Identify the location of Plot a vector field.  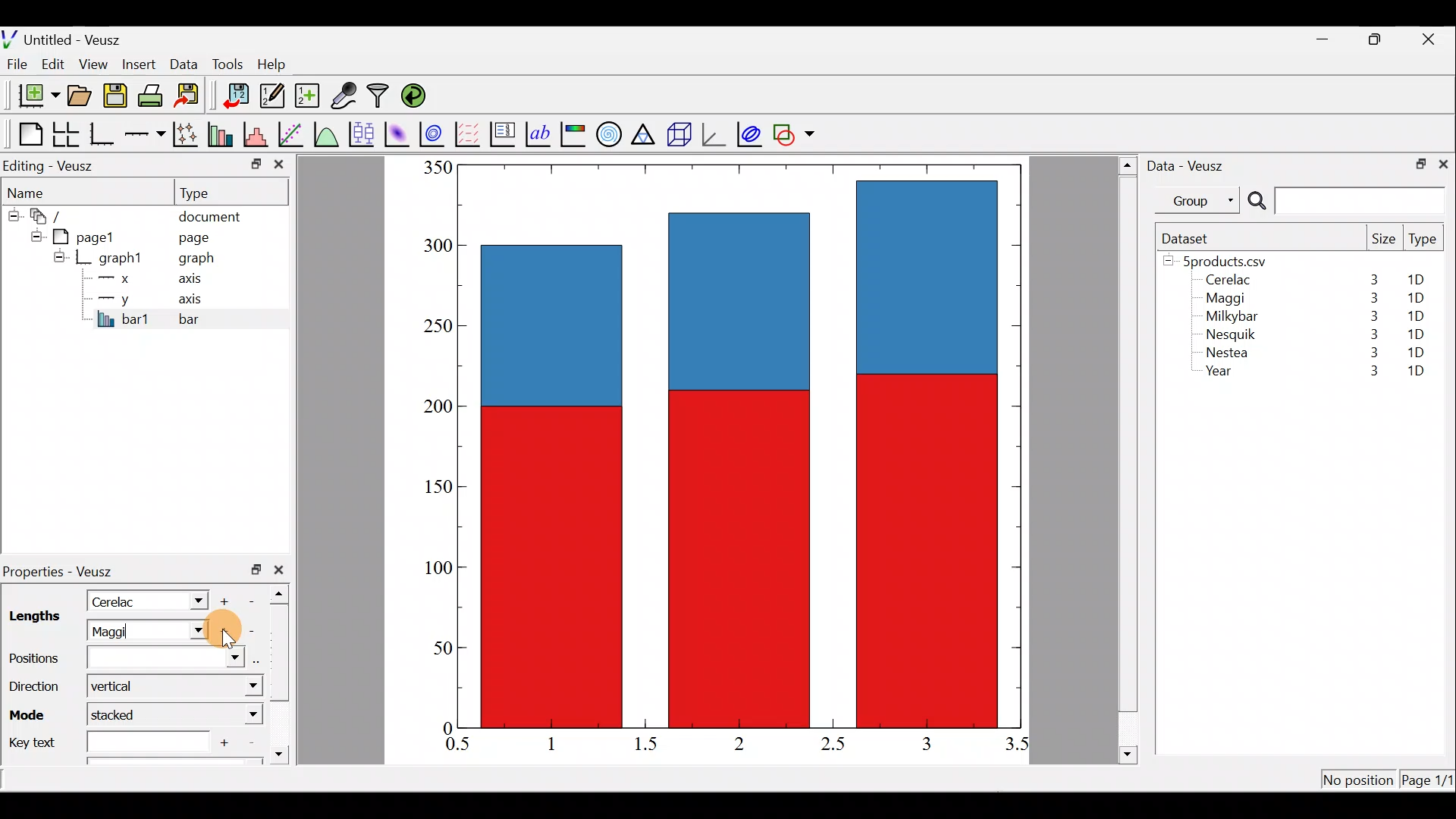
(470, 134).